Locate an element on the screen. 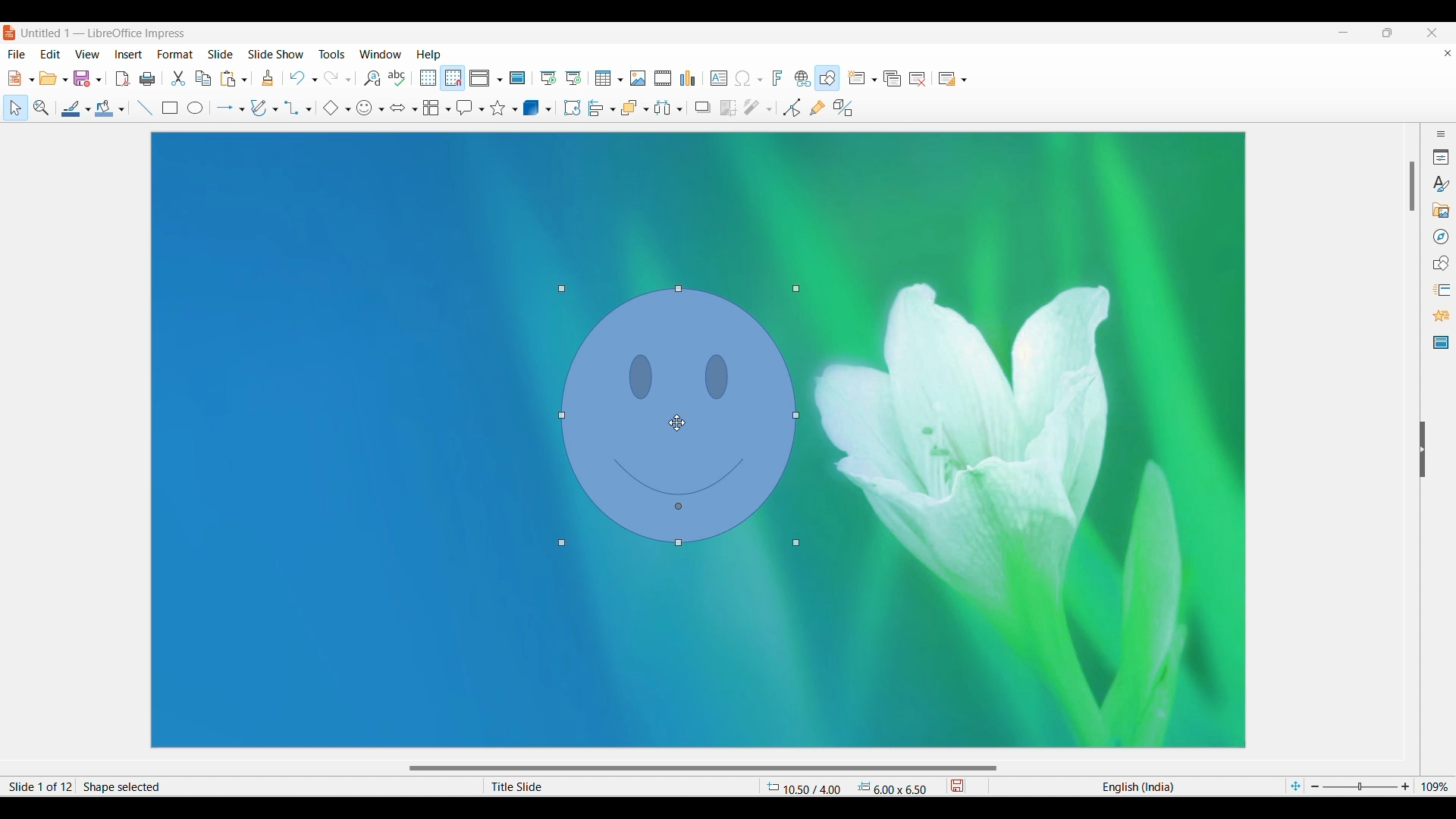  New slide is located at coordinates (856, 77).